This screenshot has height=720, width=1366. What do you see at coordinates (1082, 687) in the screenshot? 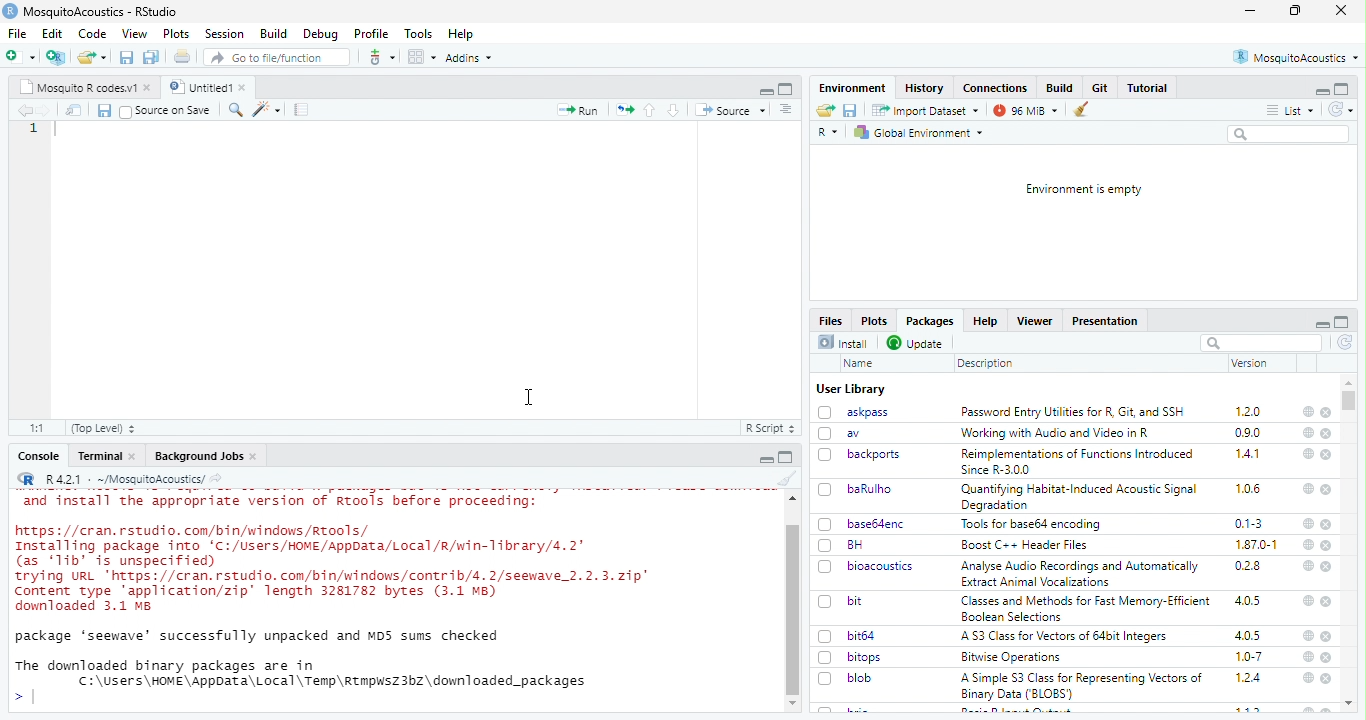
I see `A Simple S3 Class for Representing Vectors of
Binary Data (BLOBS)` at bounding box center [1082, 687].